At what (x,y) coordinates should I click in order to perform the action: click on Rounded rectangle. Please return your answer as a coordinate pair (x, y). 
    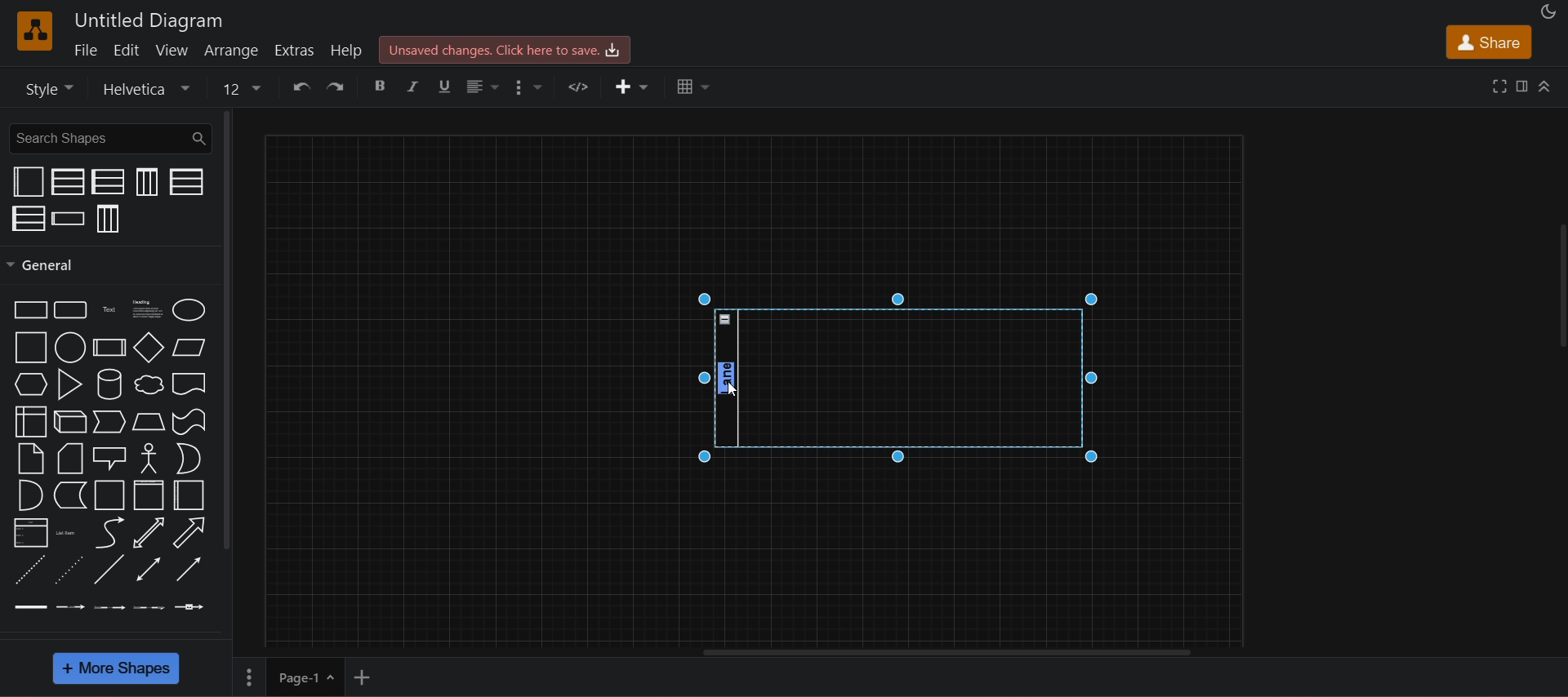
    Looking at the image, I should click on (71, 310).